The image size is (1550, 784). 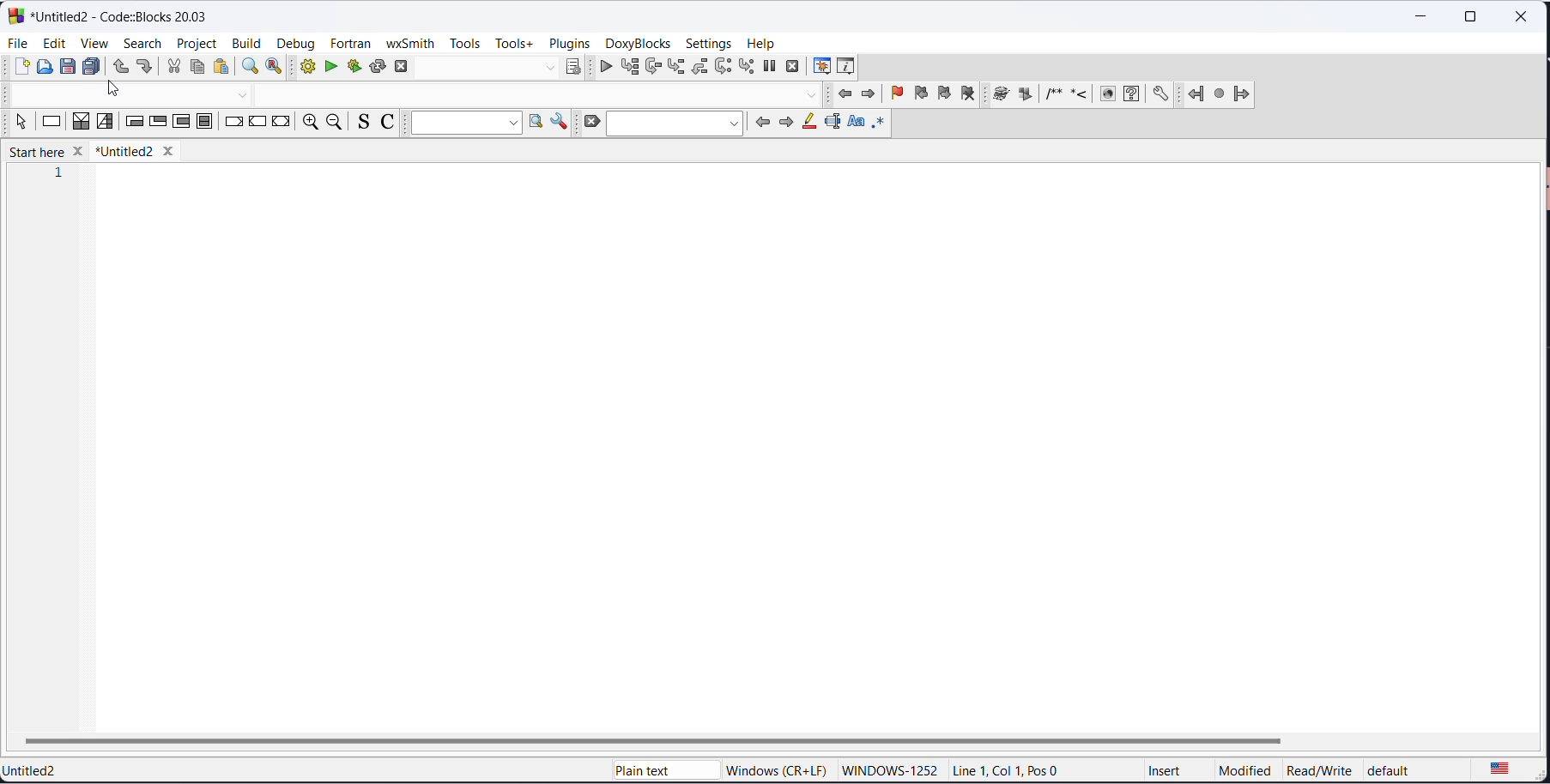 I want to click on Build, so click(x=245, y=41).